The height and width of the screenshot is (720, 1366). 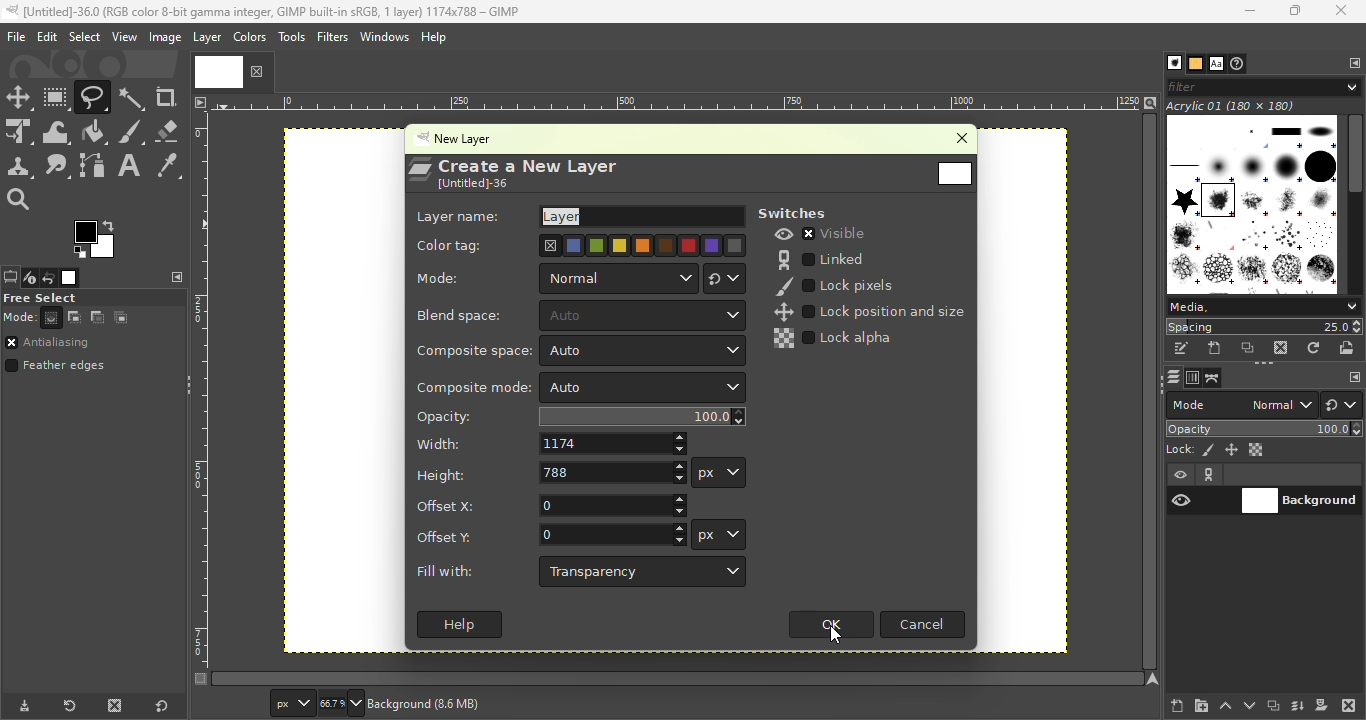 What do you see at coordinates (513, 164) in the screenshot?
I see `Create a new layer` at bounding box center [513, 164].